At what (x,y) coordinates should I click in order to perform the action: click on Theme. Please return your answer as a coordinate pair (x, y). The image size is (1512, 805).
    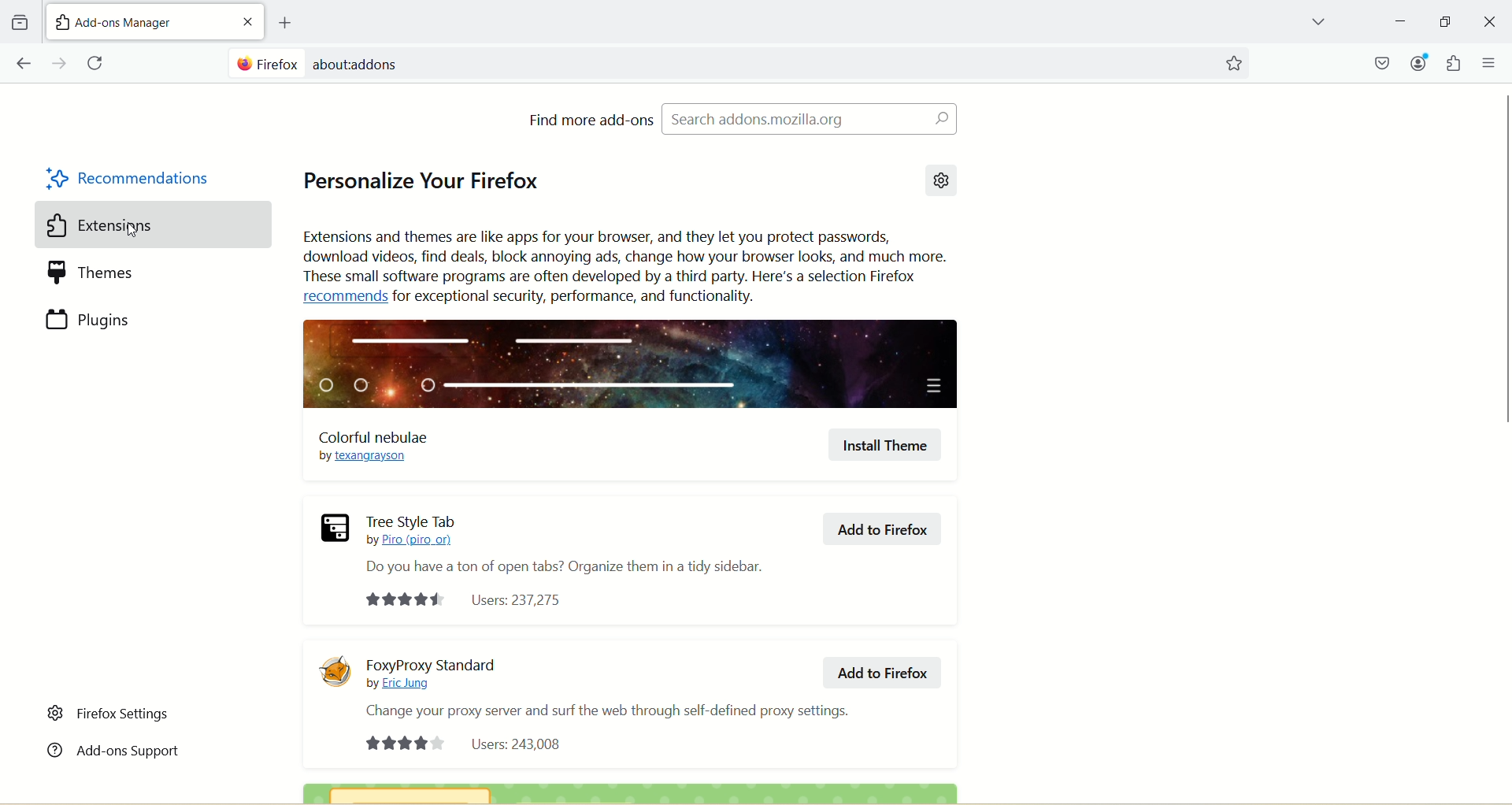
    Looking at the image, I should click on (133, 273).